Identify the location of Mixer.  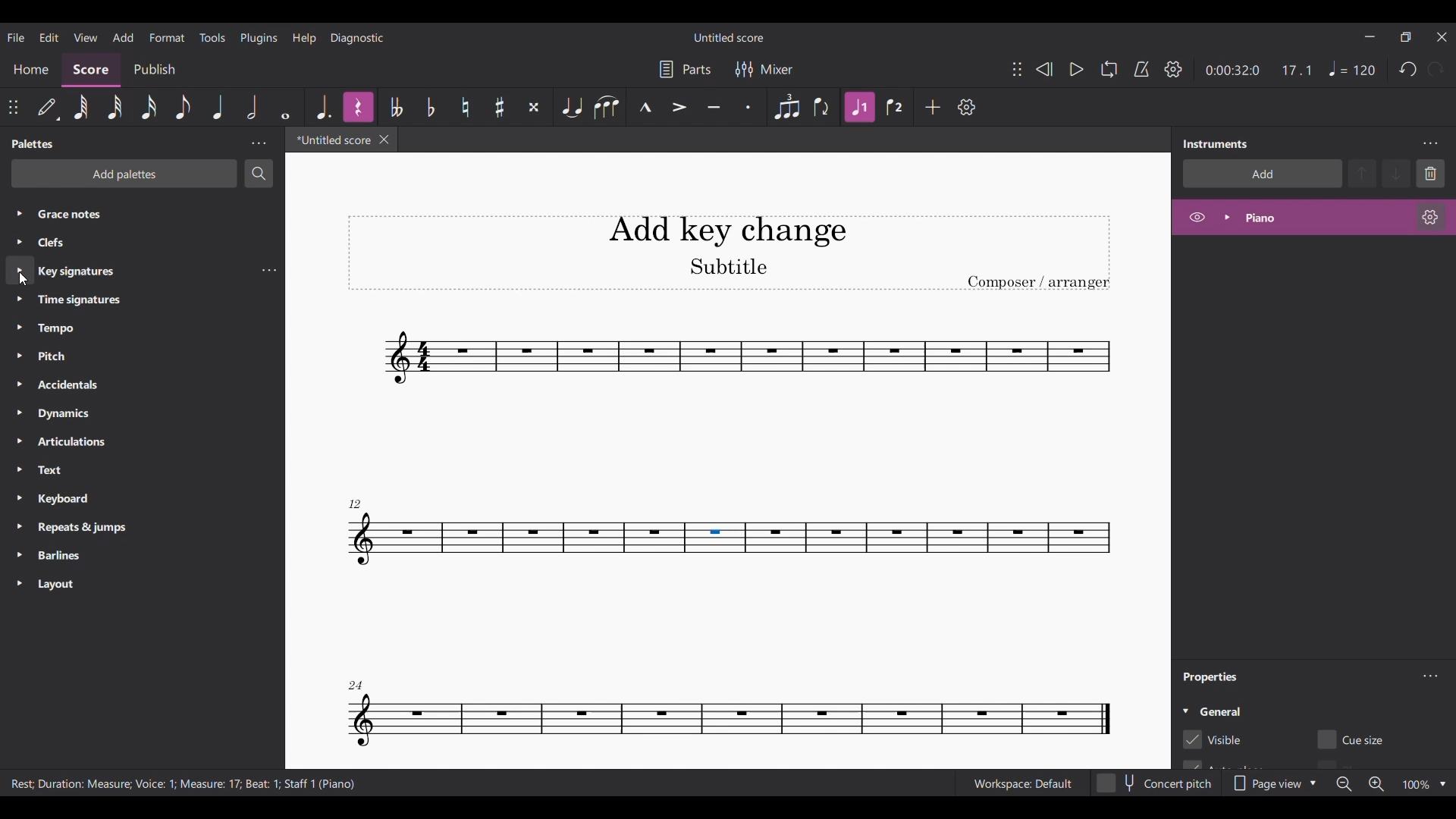
(763, 69).